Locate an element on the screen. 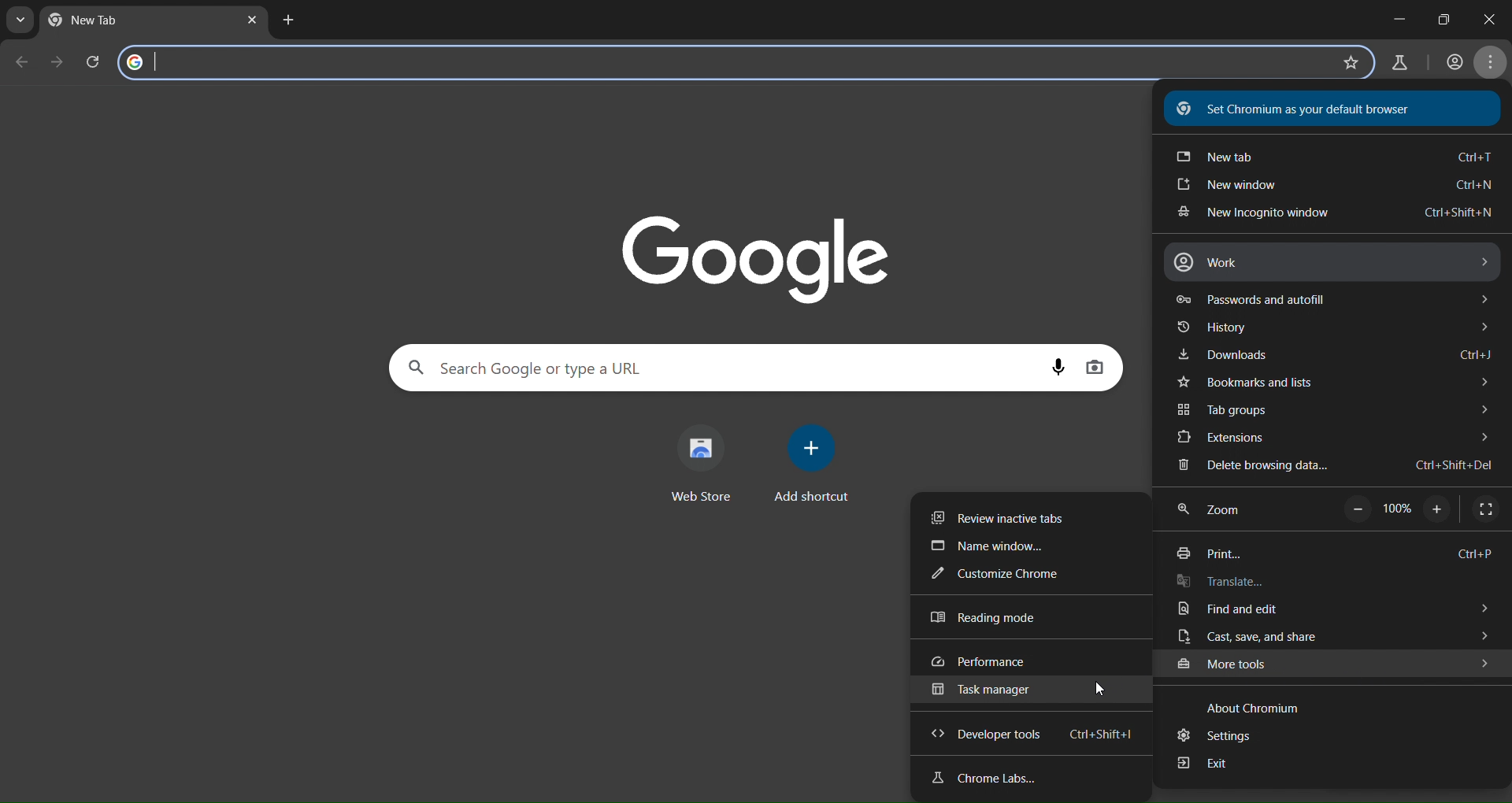  Set Chromium as your default browser is located at coordinates (1320, 109).